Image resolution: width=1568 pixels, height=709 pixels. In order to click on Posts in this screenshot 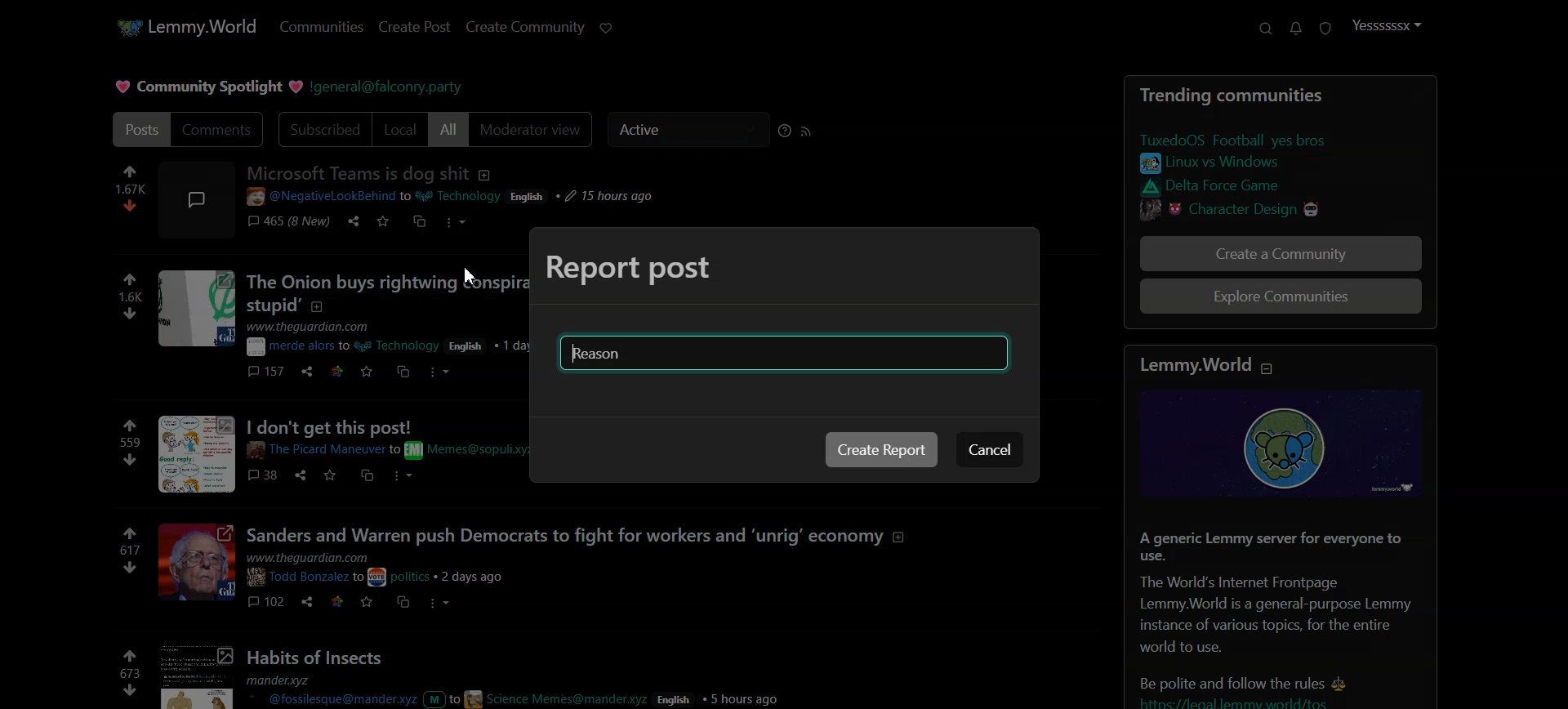, I will do `click(1280, 613)`.